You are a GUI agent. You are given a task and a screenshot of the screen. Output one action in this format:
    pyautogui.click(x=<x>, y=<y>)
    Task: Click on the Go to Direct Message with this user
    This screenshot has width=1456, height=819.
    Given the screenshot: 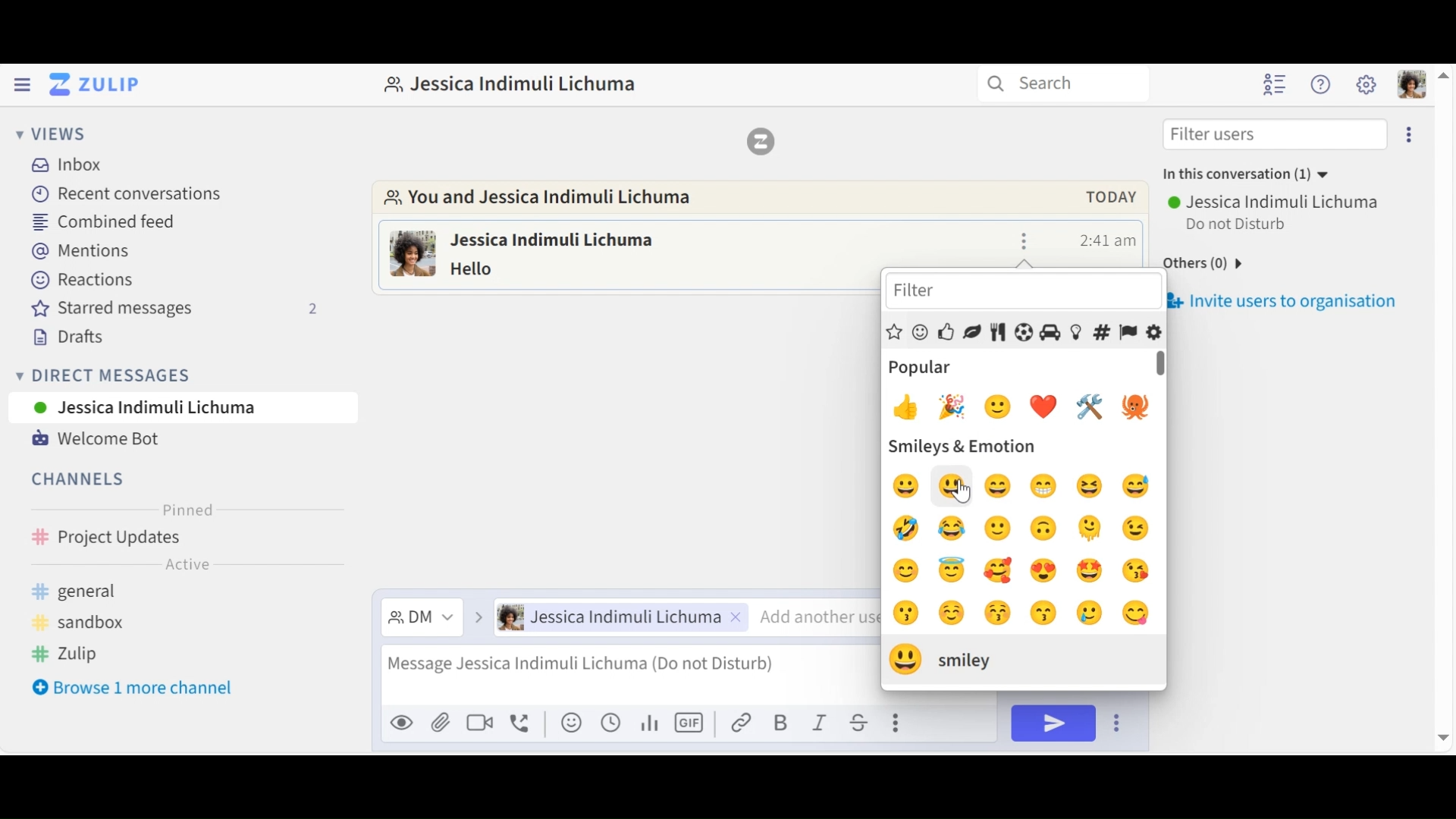 What is the action you would take?
    pyautogui.click(x=549, y=200)
    